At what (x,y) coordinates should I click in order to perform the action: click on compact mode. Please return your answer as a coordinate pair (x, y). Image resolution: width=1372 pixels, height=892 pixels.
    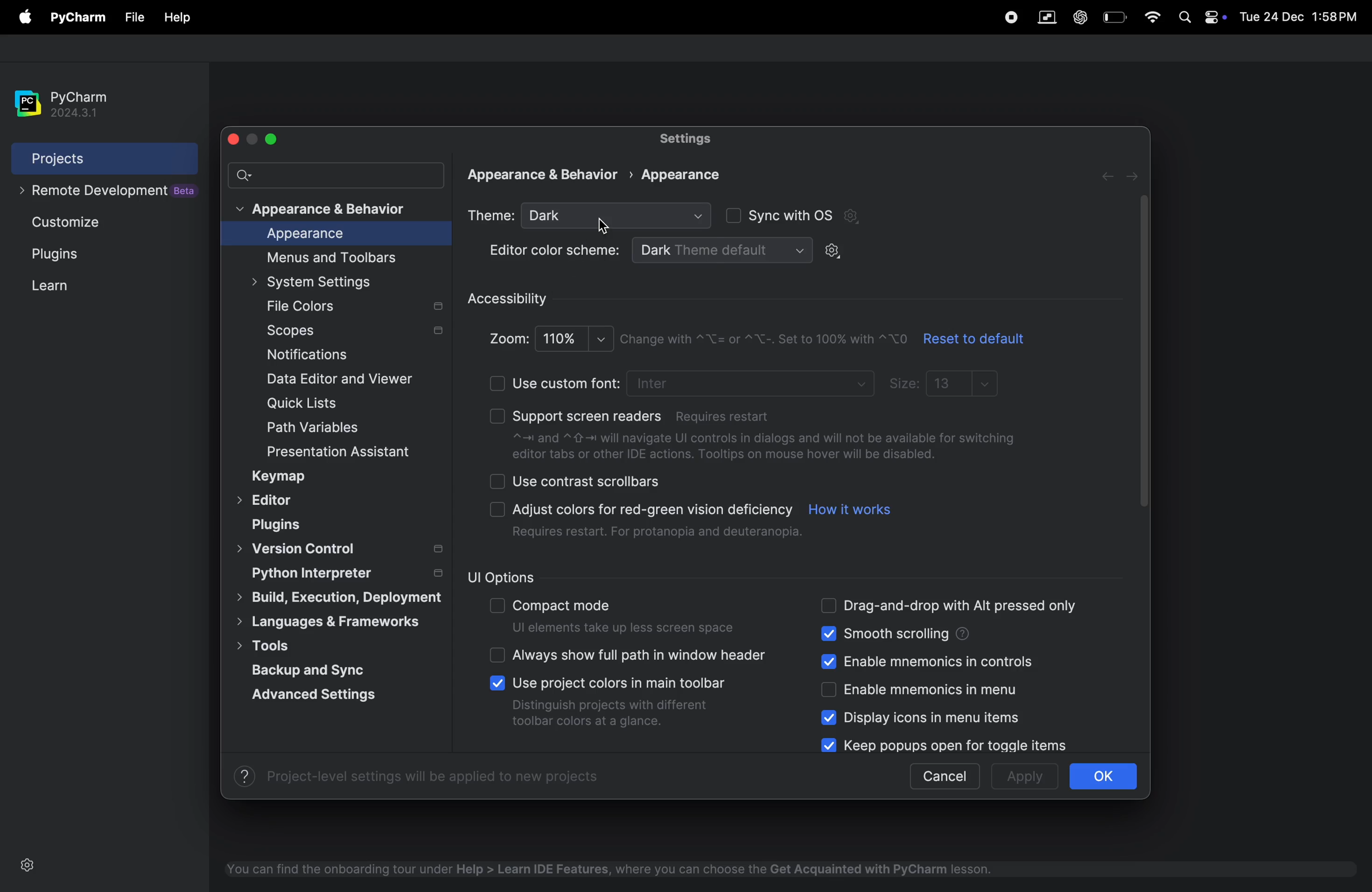
    Looking at the image, I should click on (578, 608).